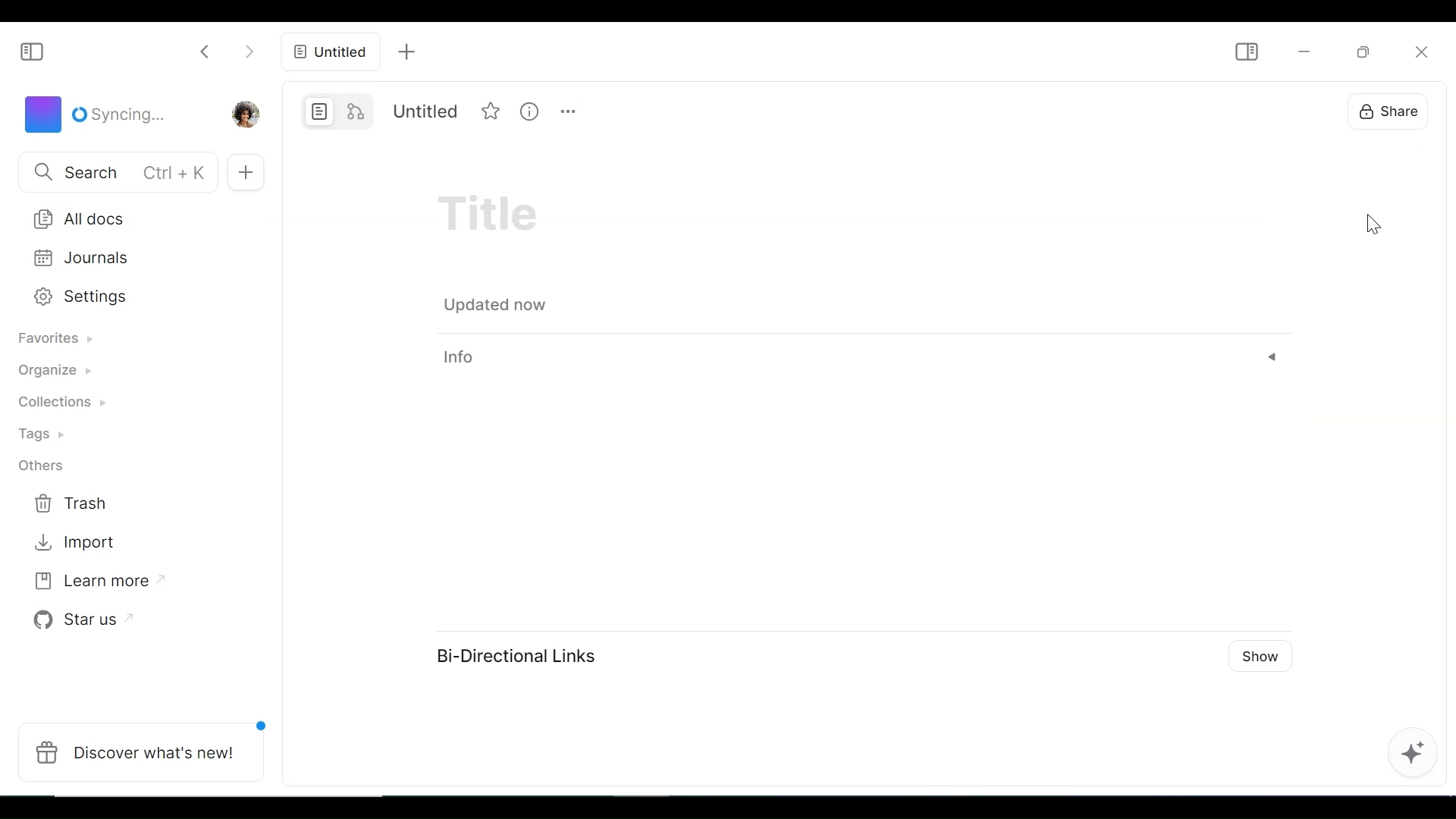 The width and height of the screenshot is (1456, 819). What do you see at coordinates (99, 579) in the screenshot?
I see `Learn more` at bounding box center [99, 579].